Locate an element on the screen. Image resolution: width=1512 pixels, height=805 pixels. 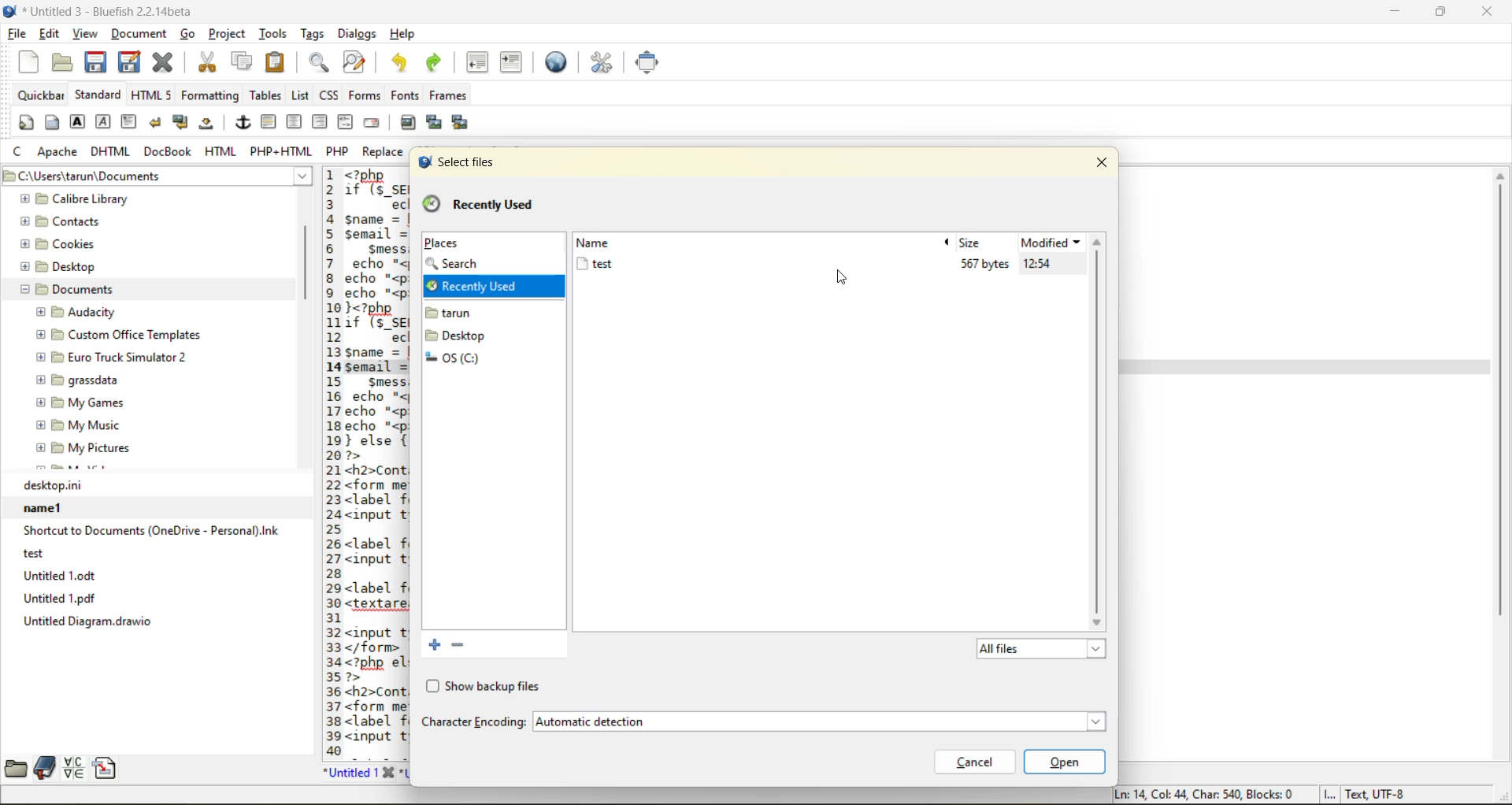
forms is located at coordinates (362, 95).